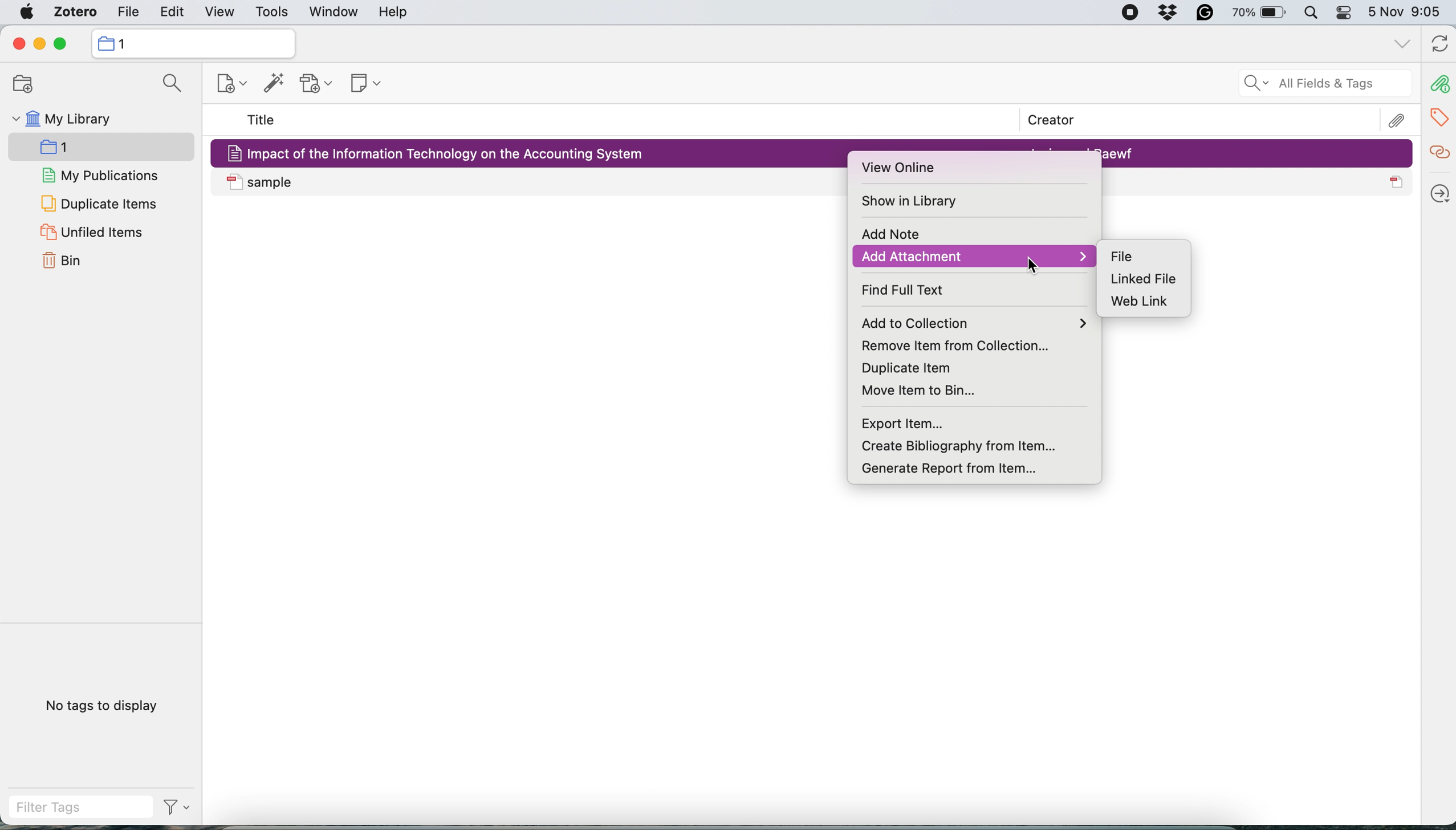  What do you see at coordinates (1438, 189) in the screenshot?
I see `locate` at bounding box center [1438, 189].